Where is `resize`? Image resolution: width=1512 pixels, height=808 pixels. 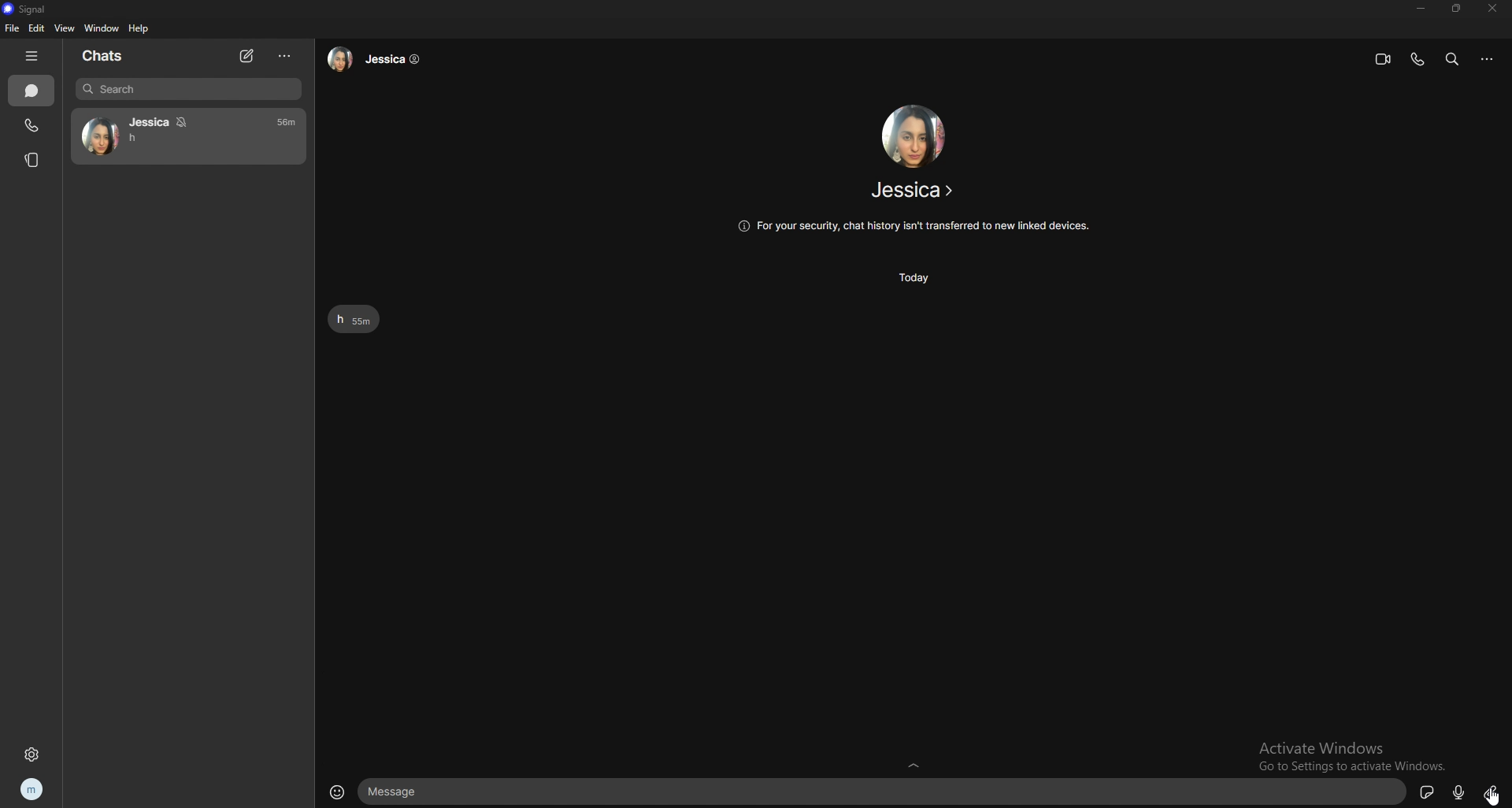 resize is located at coordinates (1457, 11).